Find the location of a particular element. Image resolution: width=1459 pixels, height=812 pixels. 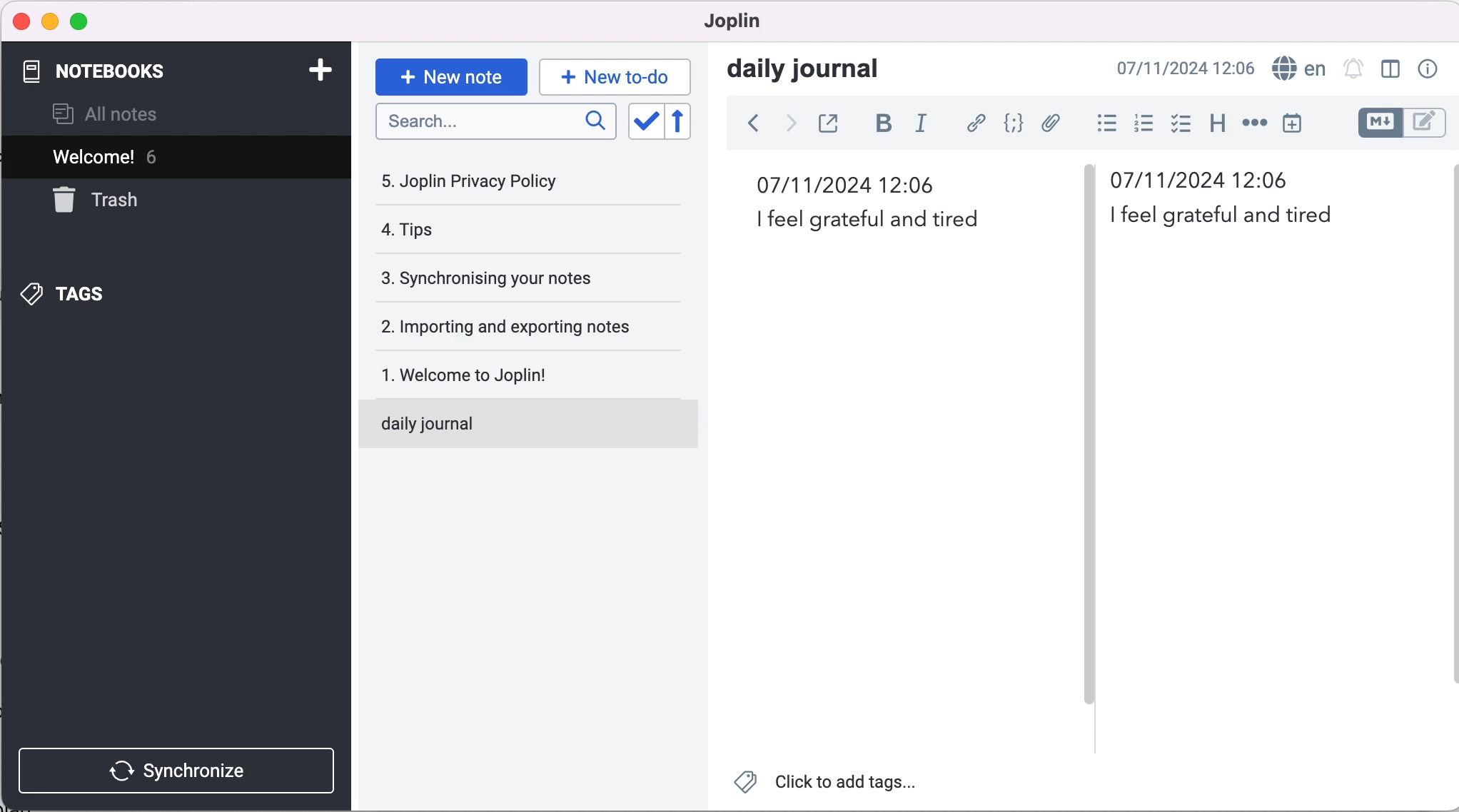

joplin privacy policy is located at coordinates (479, 181).